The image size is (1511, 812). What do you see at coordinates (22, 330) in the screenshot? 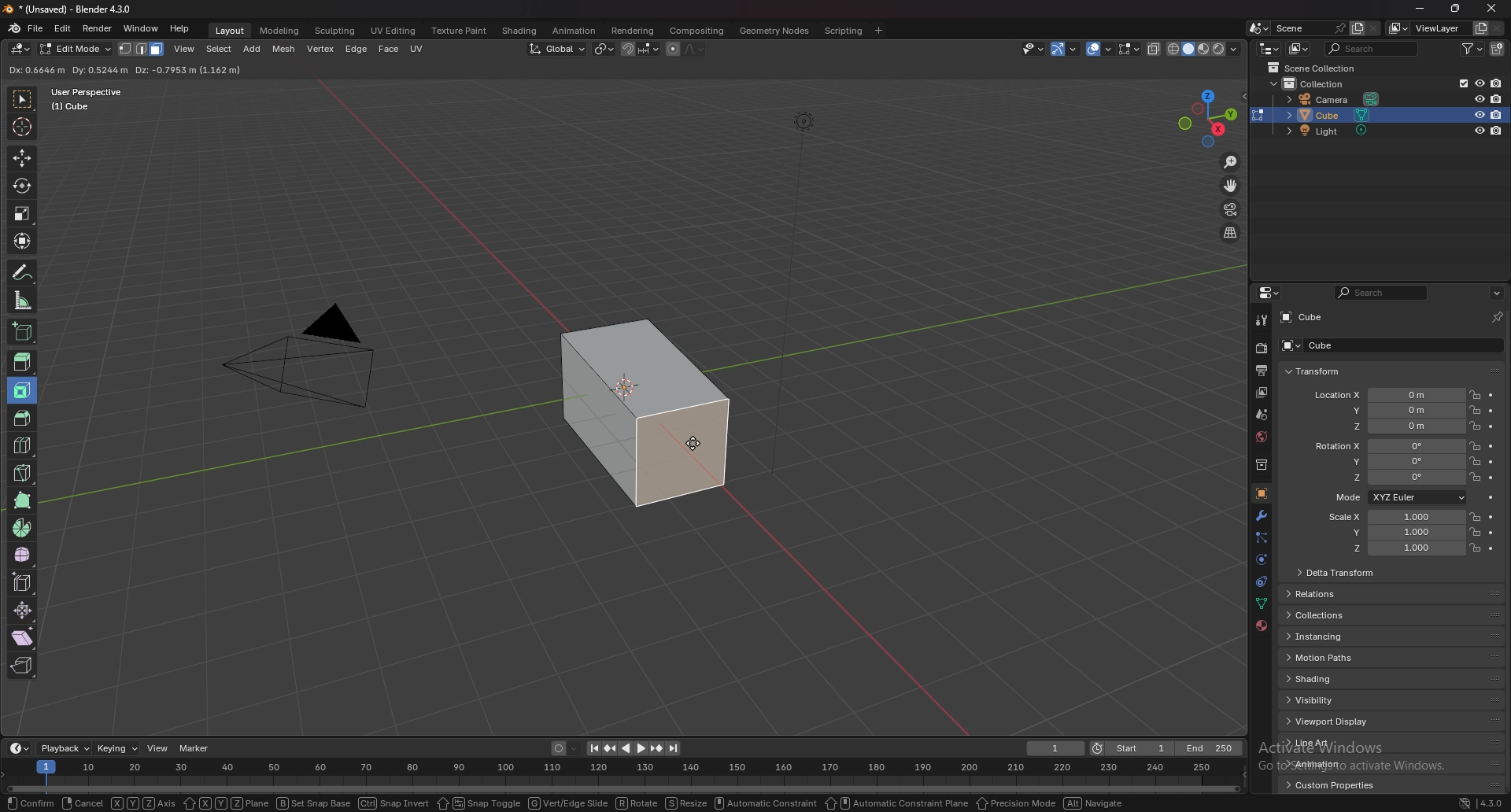
I see `add cube` at bounding box center [22, 330].